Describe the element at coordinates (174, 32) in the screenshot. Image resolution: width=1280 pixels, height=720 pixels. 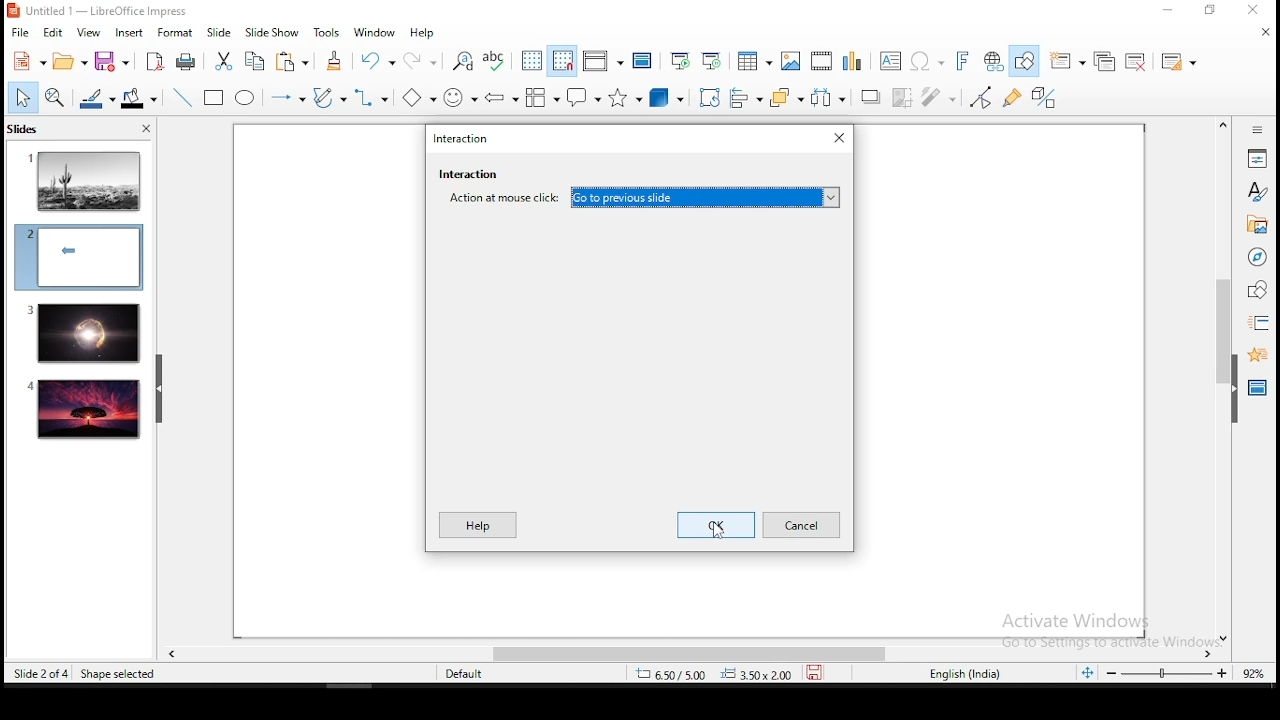
I see `format` at that location.